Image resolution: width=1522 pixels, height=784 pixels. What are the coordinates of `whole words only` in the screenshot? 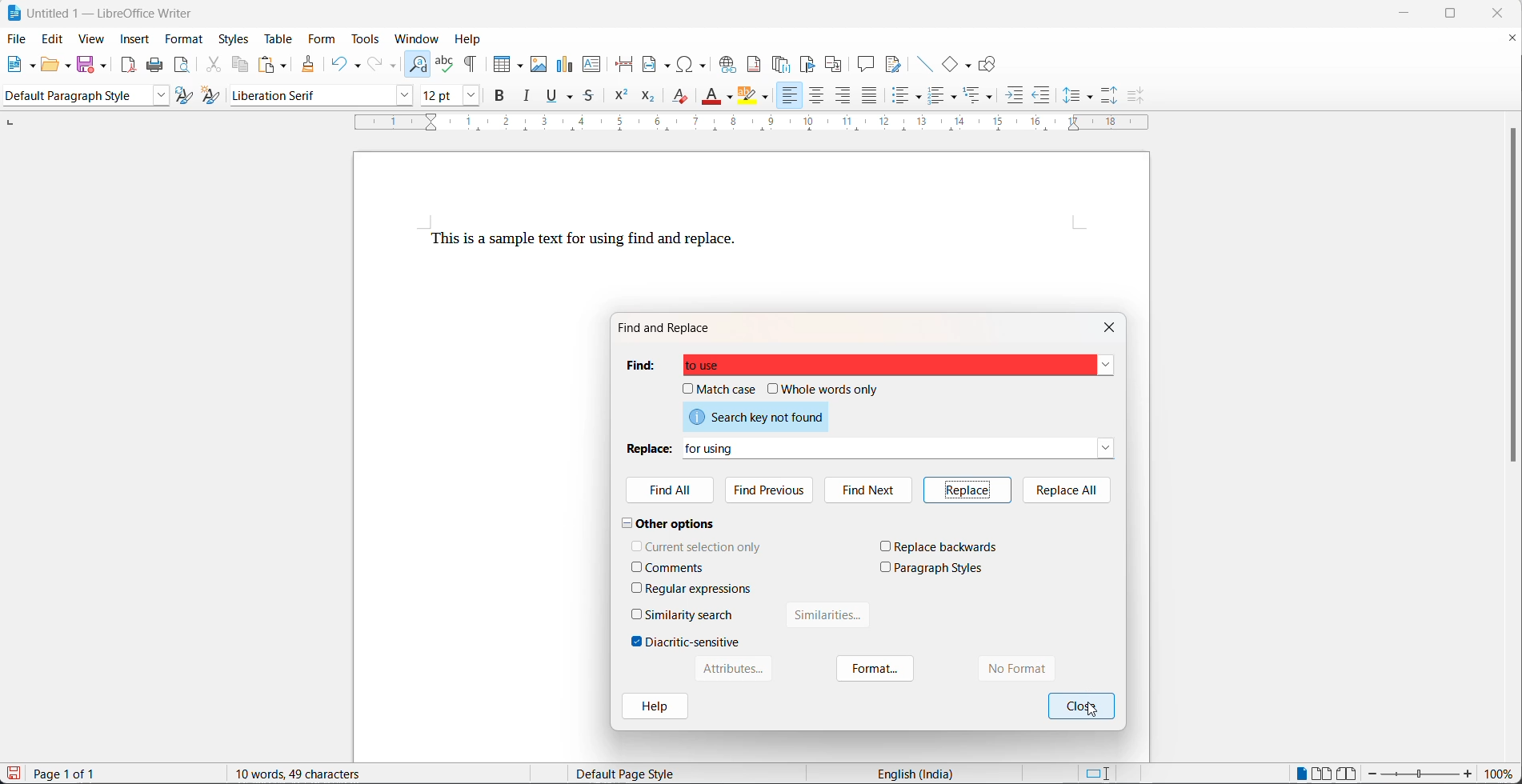 It's located at (831, 389).